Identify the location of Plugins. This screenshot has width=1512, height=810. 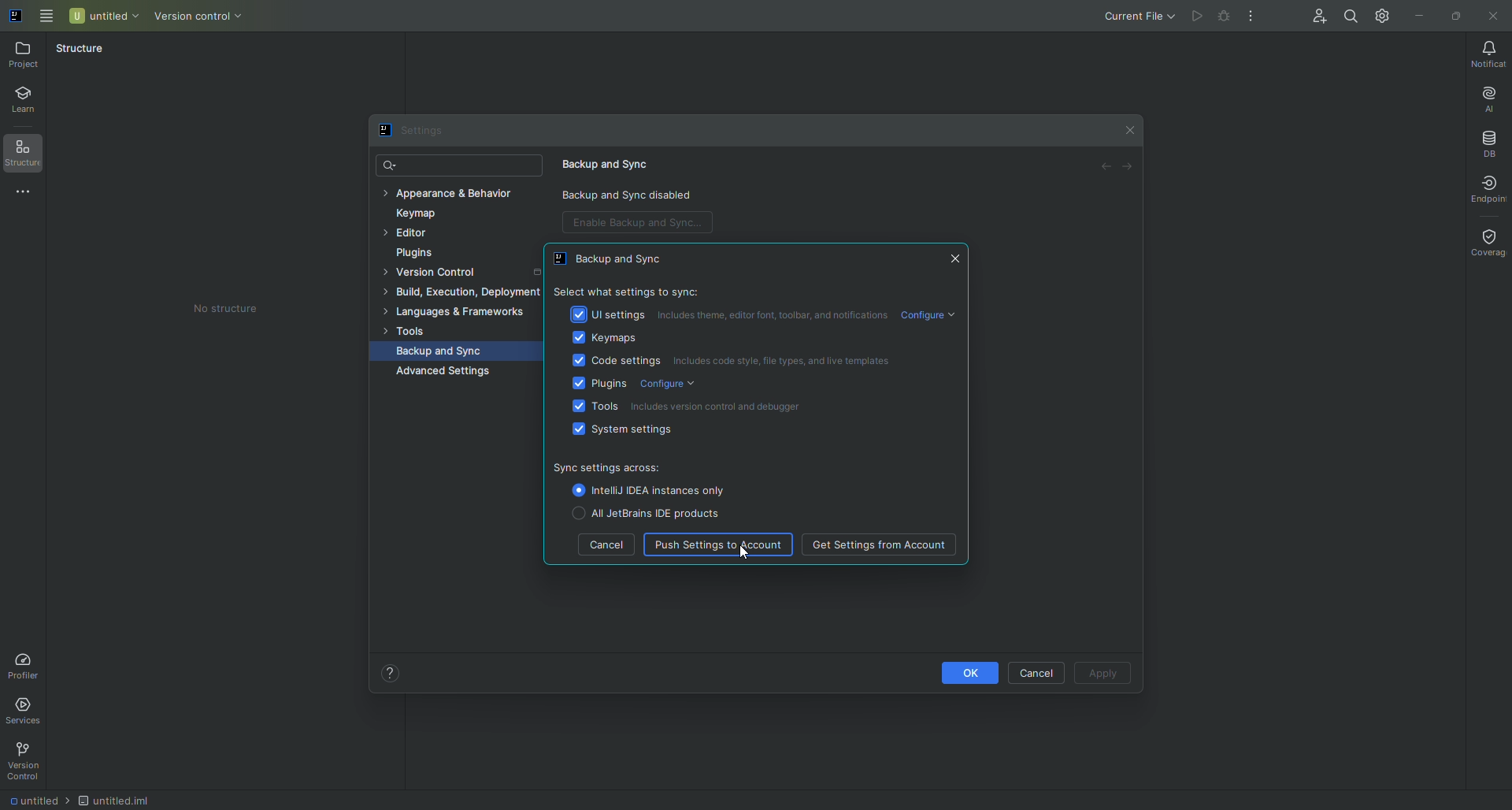
(419, 255).